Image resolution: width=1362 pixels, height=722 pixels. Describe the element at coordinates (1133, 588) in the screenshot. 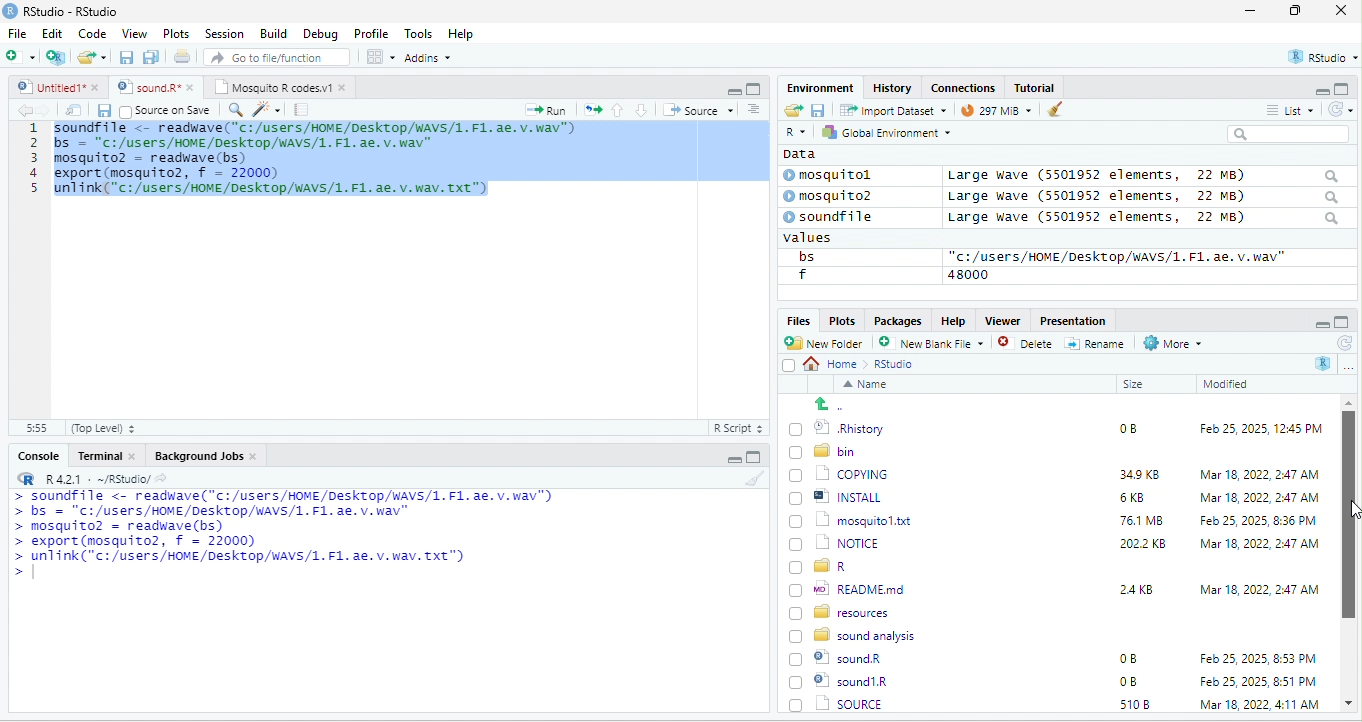

I see `24KB` at that location.